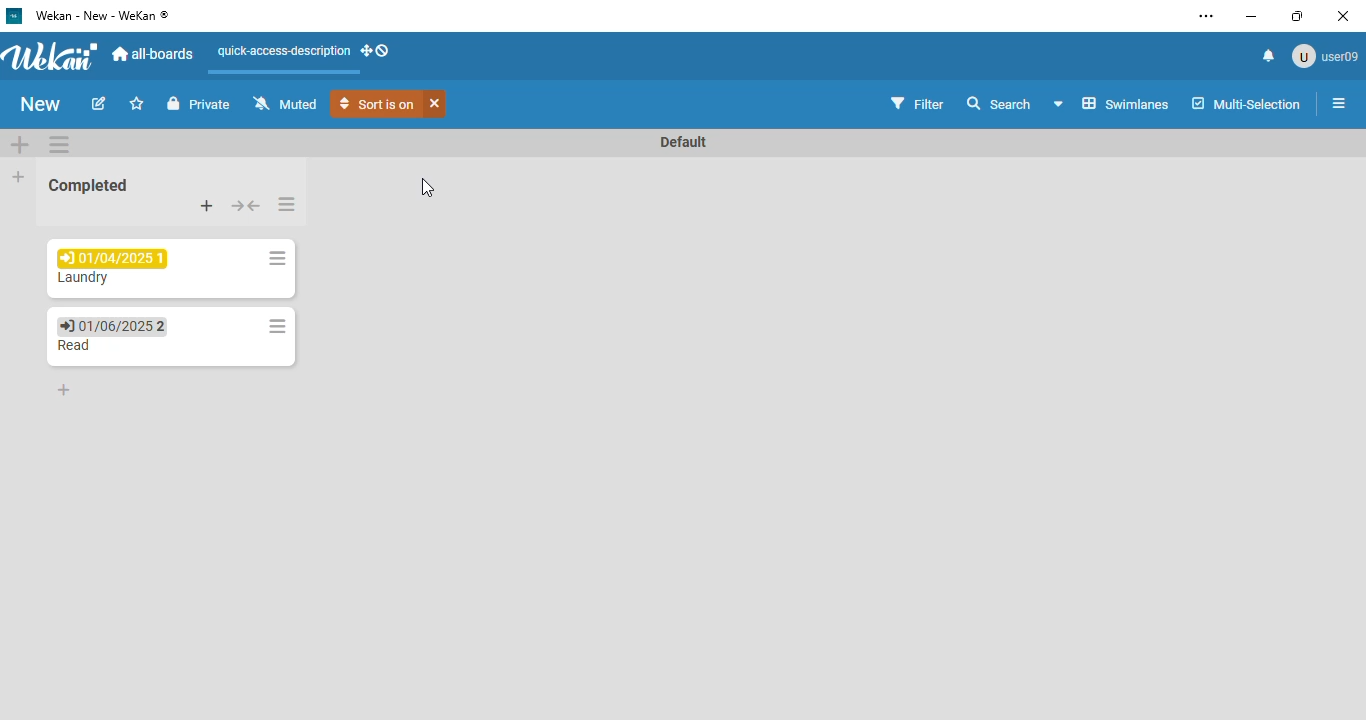 The image size is (1366, 720). Describe the element at coordinates (111, 326) in the screenshot. I see `01/06/2025 ` at that location.